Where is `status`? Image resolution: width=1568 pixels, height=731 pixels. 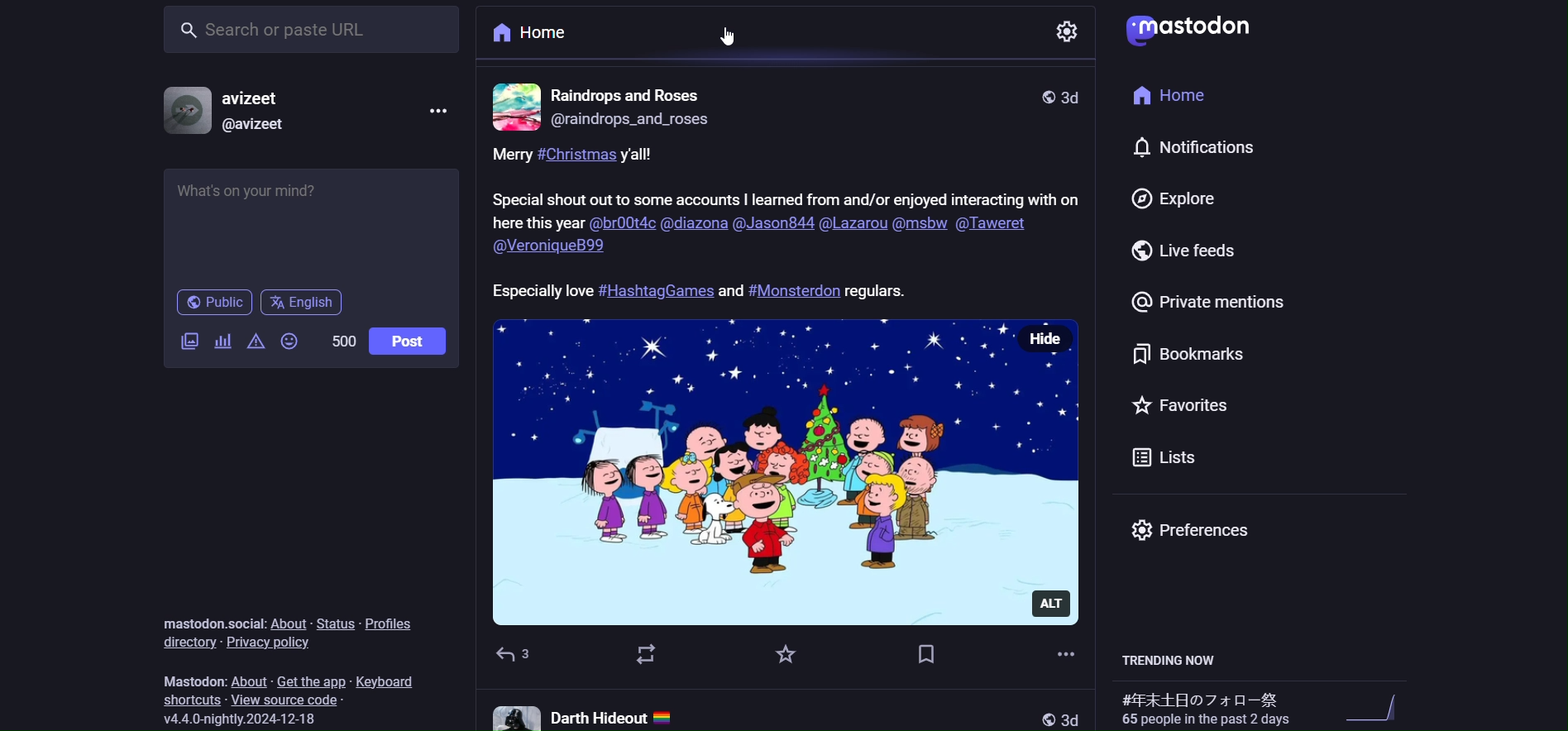 status is located at coordinates (331, 623).